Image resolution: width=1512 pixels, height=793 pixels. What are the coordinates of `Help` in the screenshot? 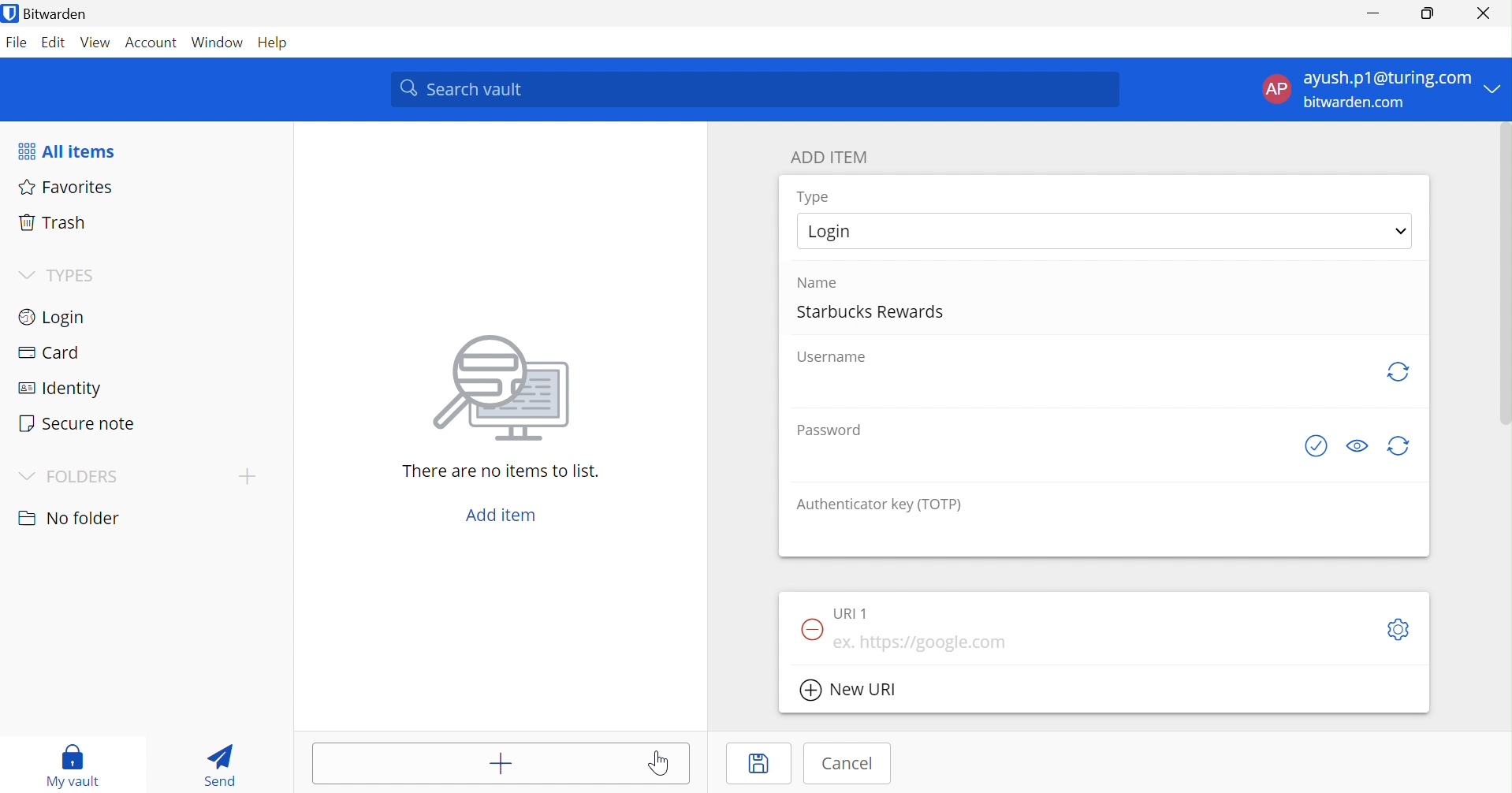 It's located at (279, 43).